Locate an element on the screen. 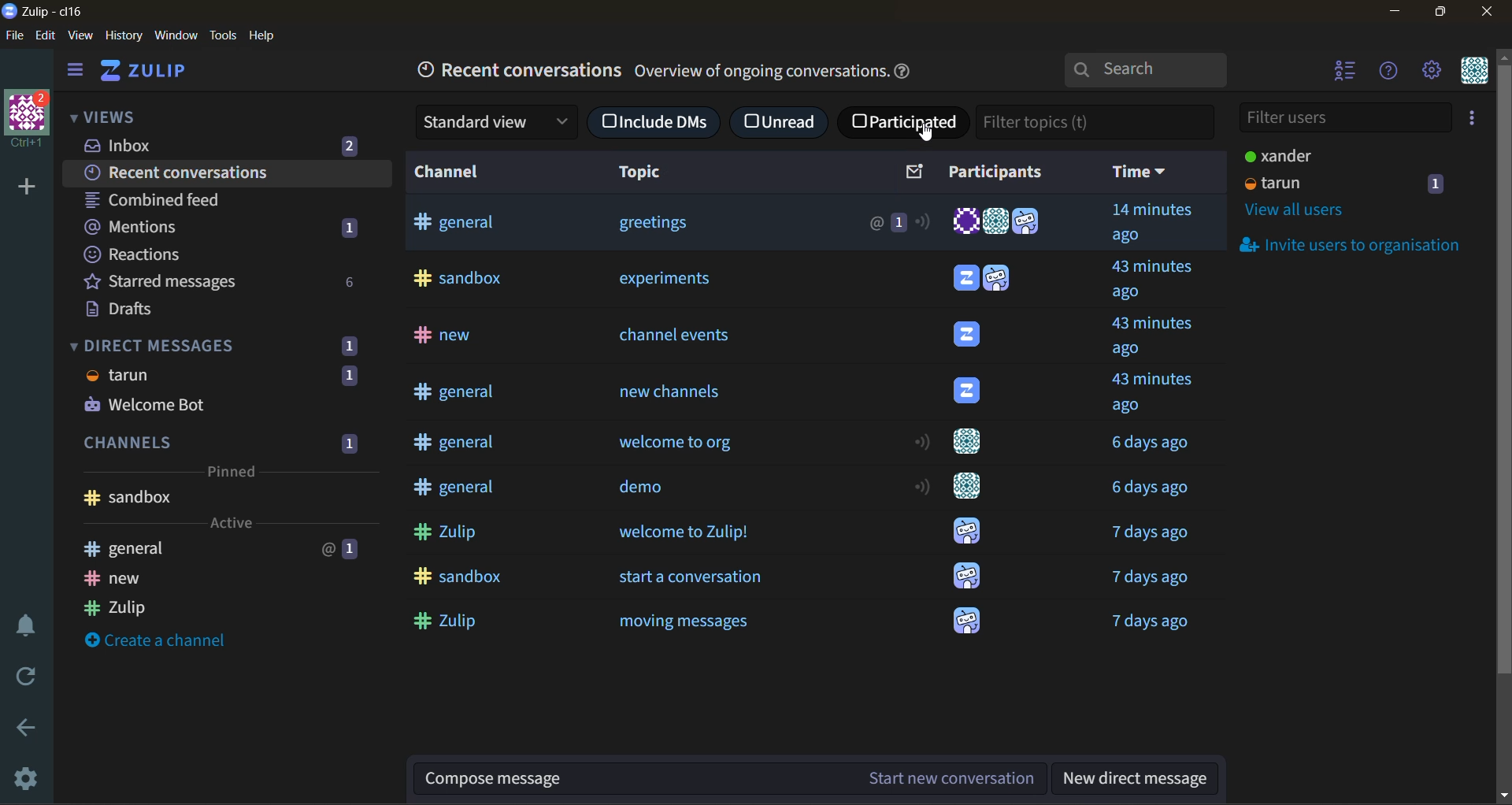  new direct message is located at coordinates (1137, 776).